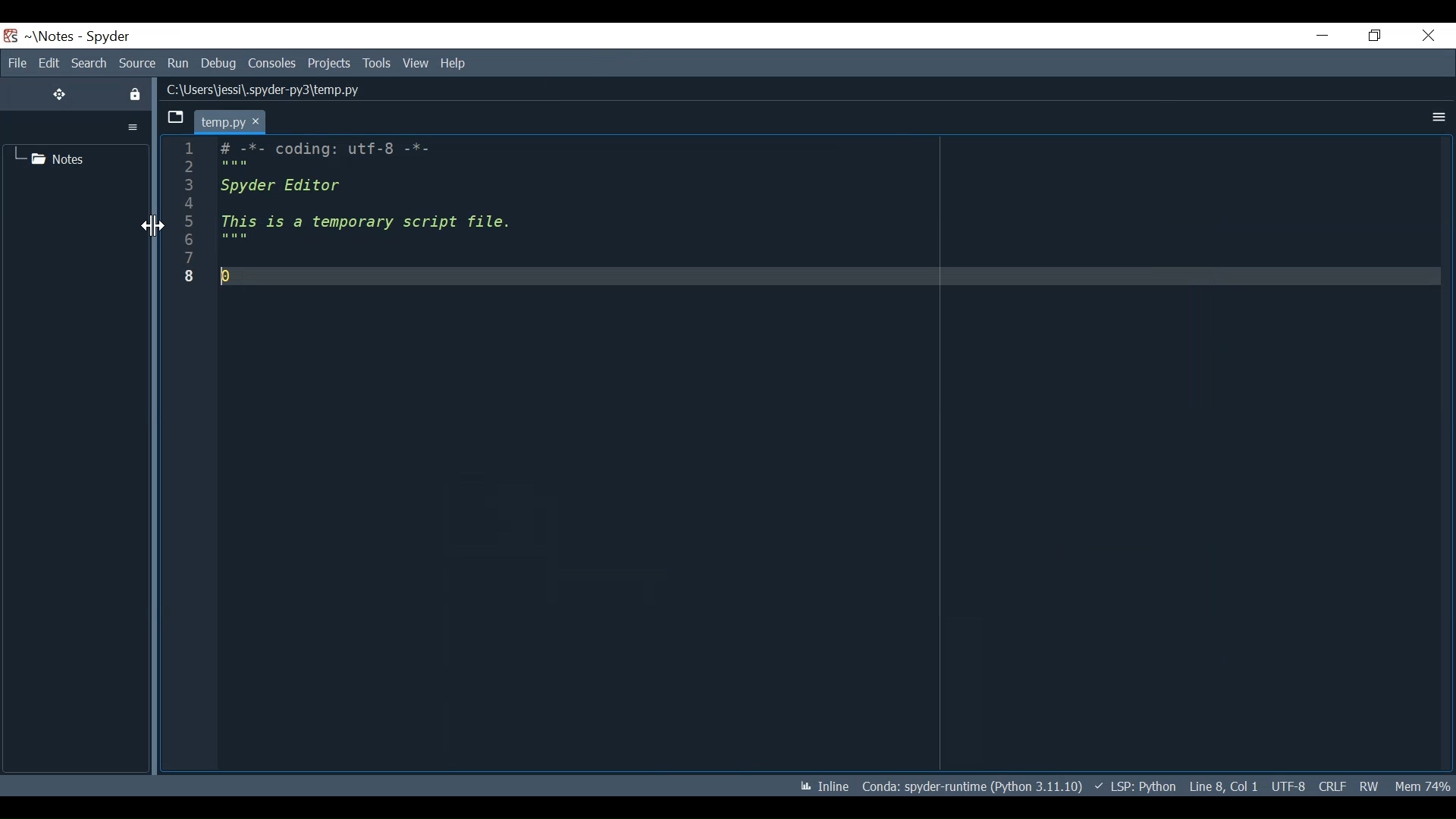  What do you see at coordinates (134, 93) in the screenshot?
I see `Lock` at bounding box center [134, 93].